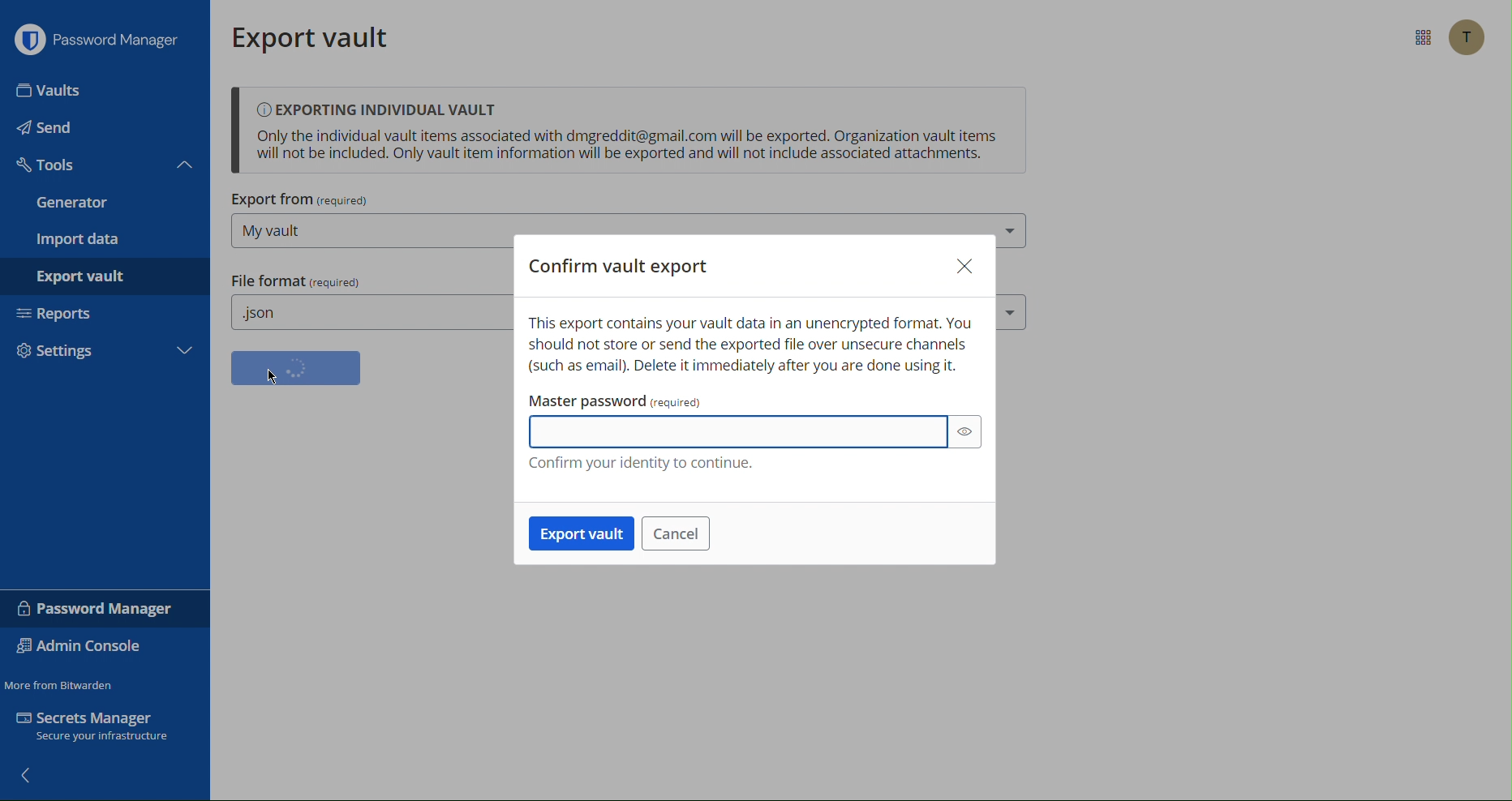 The height and width of the screenshot is (801, 1512). What do you see at coordinates (76, 348) in the screenshot?
I see `Settings` at bounding box center [76, 348].